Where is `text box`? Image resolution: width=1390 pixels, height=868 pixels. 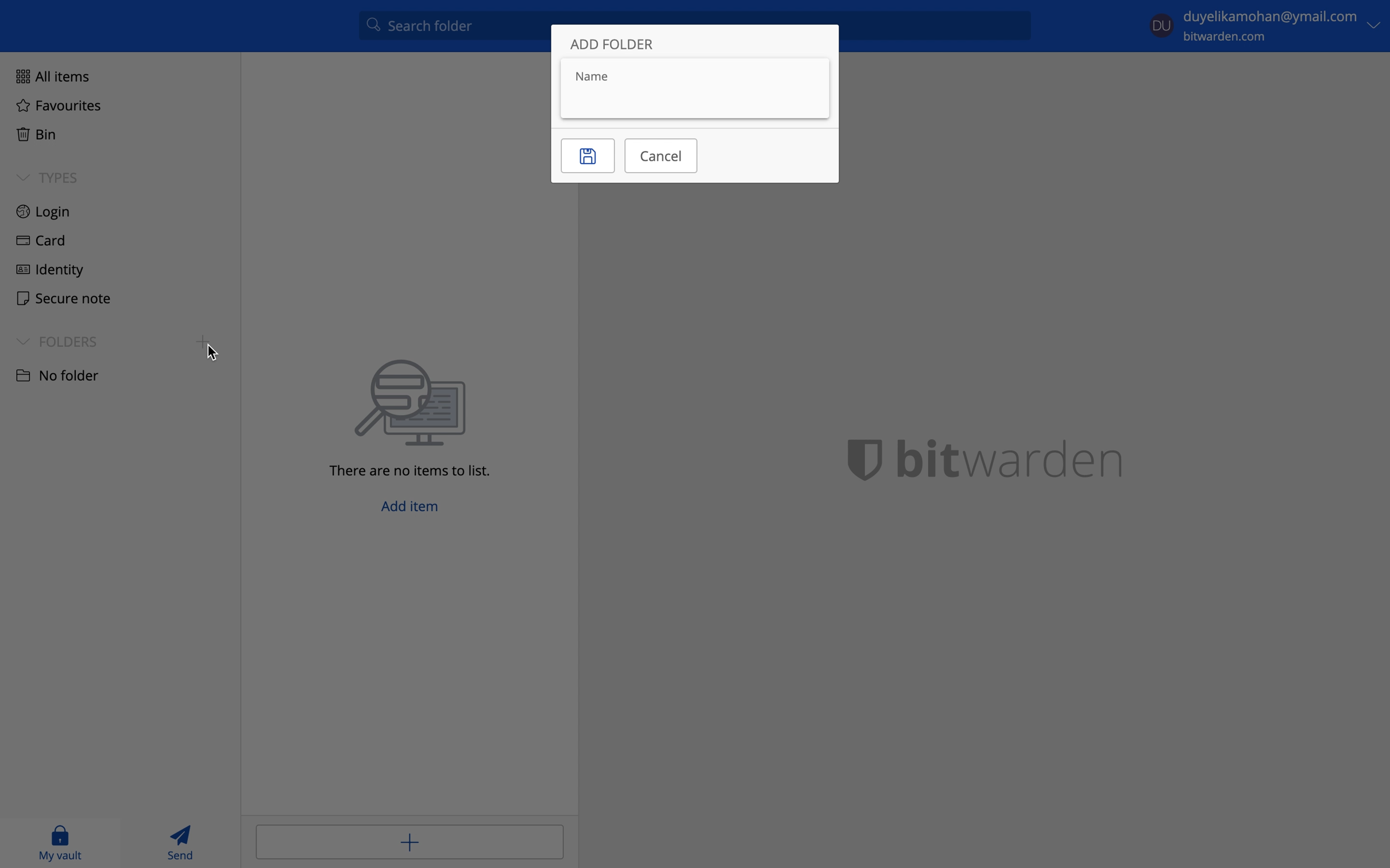 text box is located at coordinates (694, 87).